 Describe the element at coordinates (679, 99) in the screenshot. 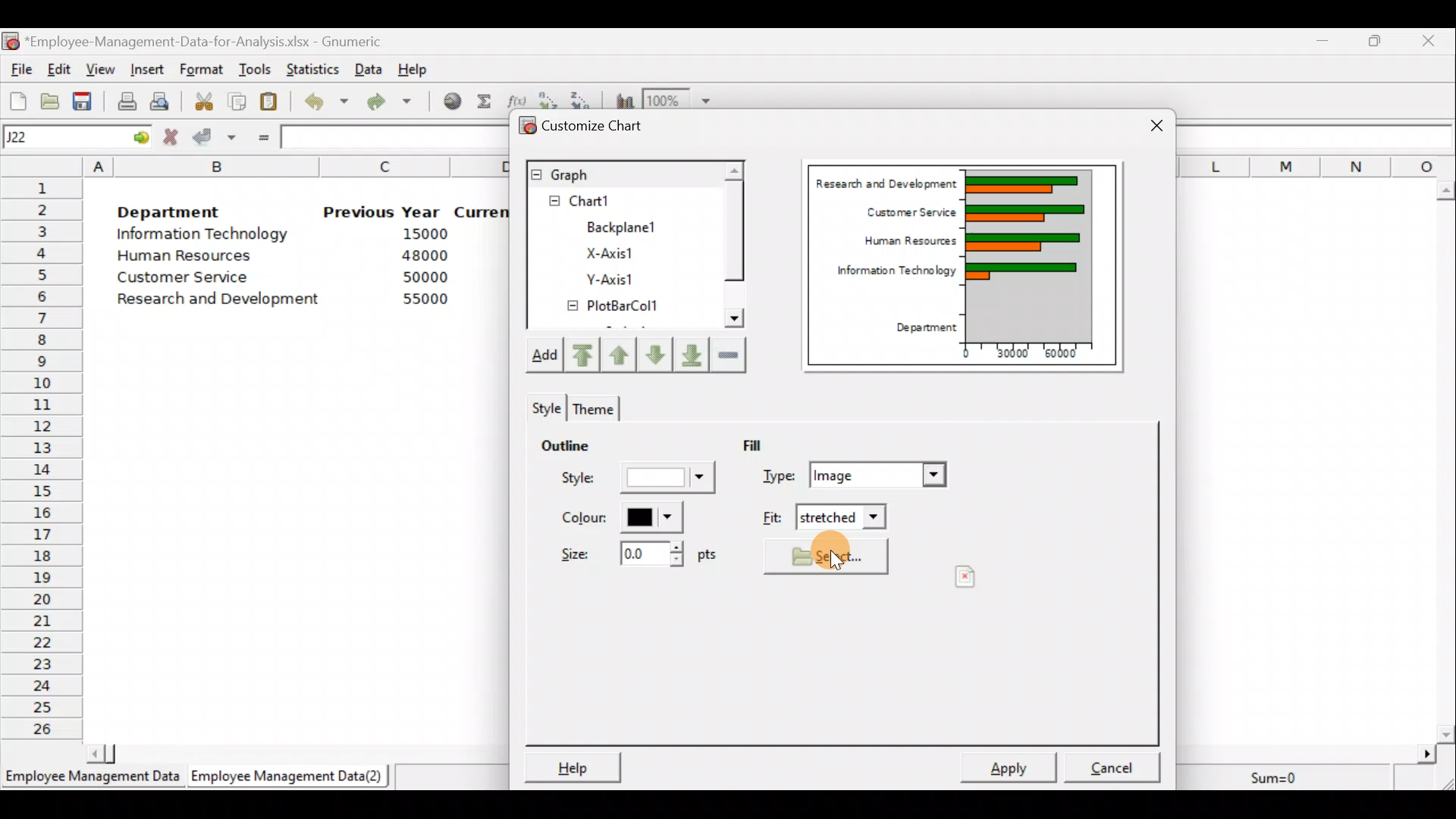

I see `Zoom` at that location.